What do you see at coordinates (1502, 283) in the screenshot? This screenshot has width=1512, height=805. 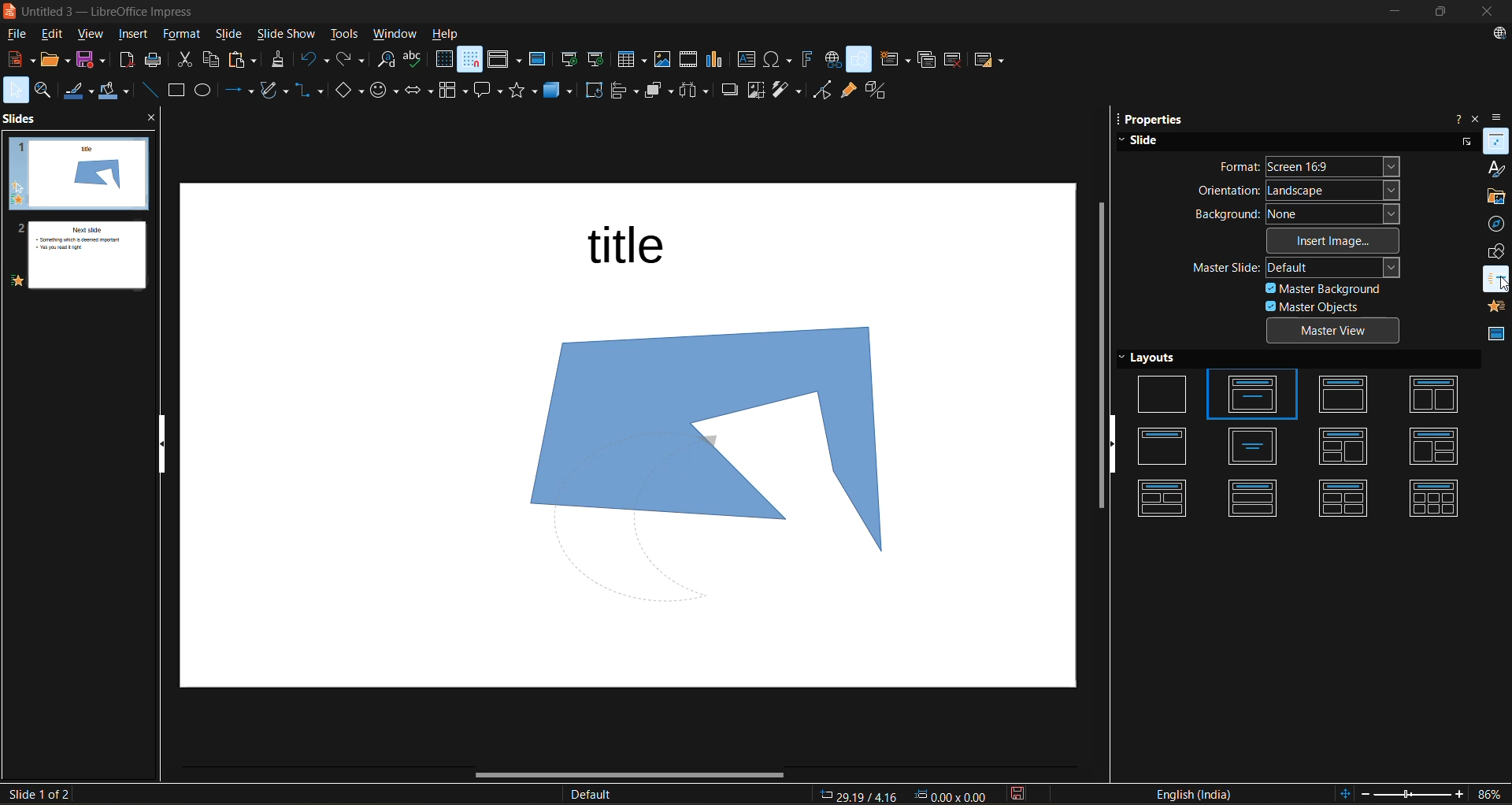 I see `cursor` at bounding box center [1502, 283].